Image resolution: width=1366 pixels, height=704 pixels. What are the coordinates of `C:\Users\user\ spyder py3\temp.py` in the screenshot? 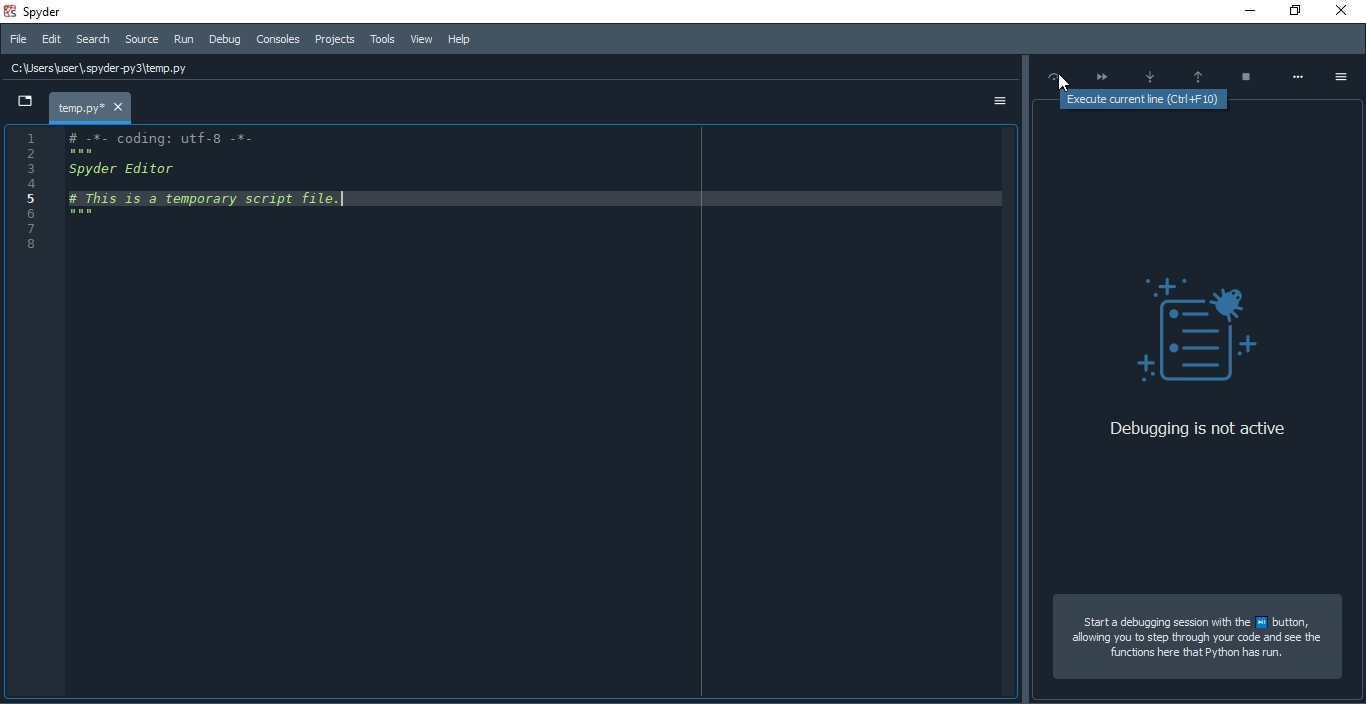 It's located at (117, 67).